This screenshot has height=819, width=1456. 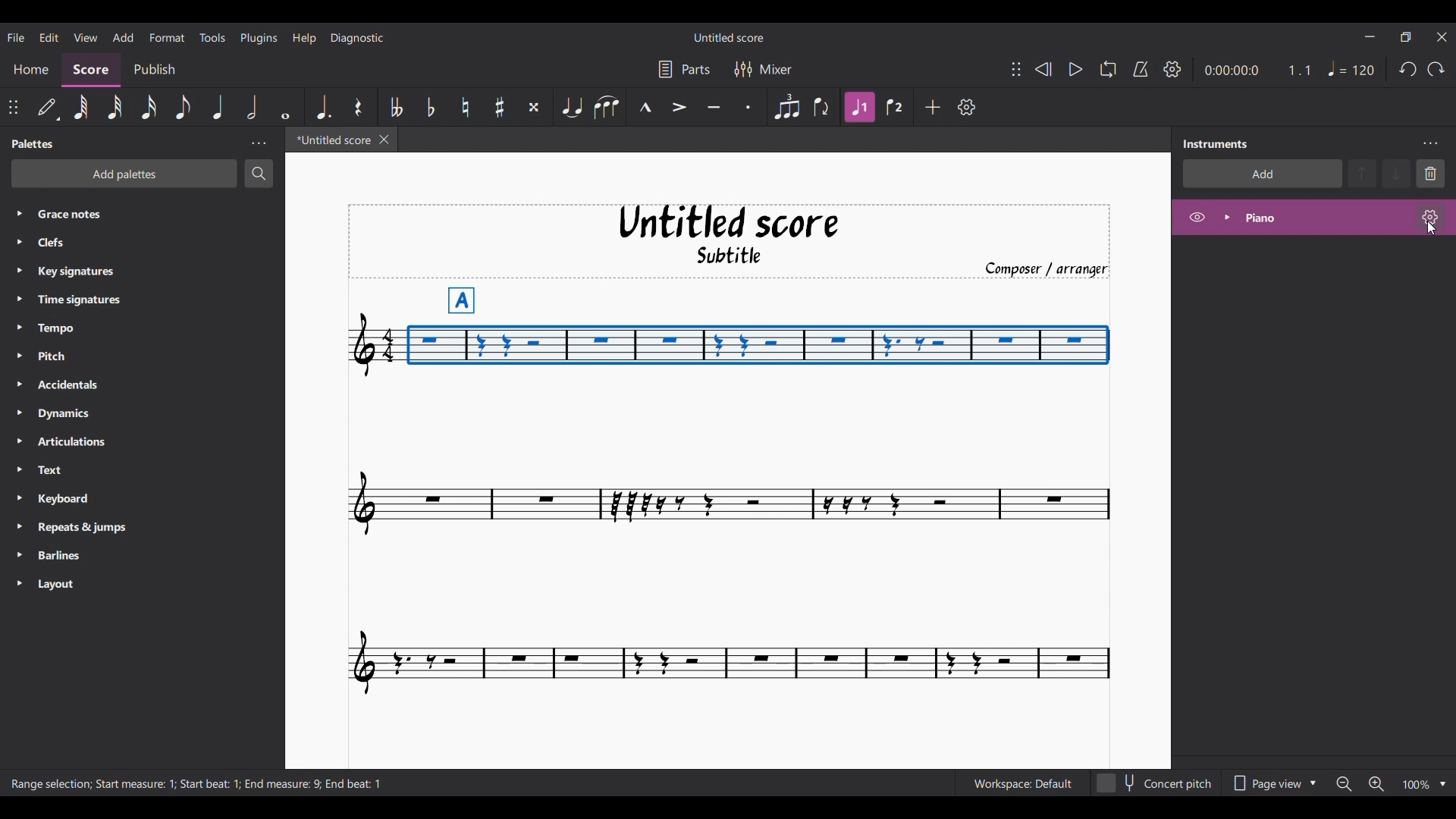 What do you see at coordinates (534, 107) in the screenshot?
I see `Toggle double sharp` at bounding box center [534, 107].